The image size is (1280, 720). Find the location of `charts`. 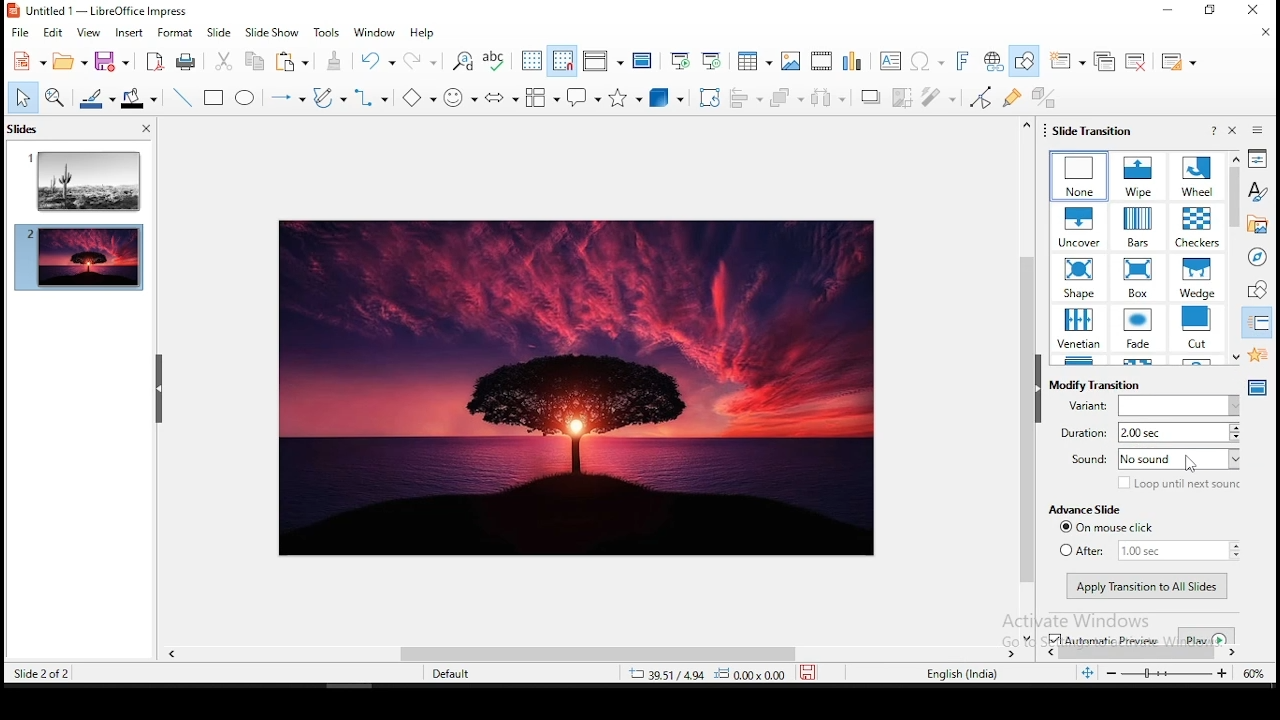

charts is located at coordinates (852, 62).